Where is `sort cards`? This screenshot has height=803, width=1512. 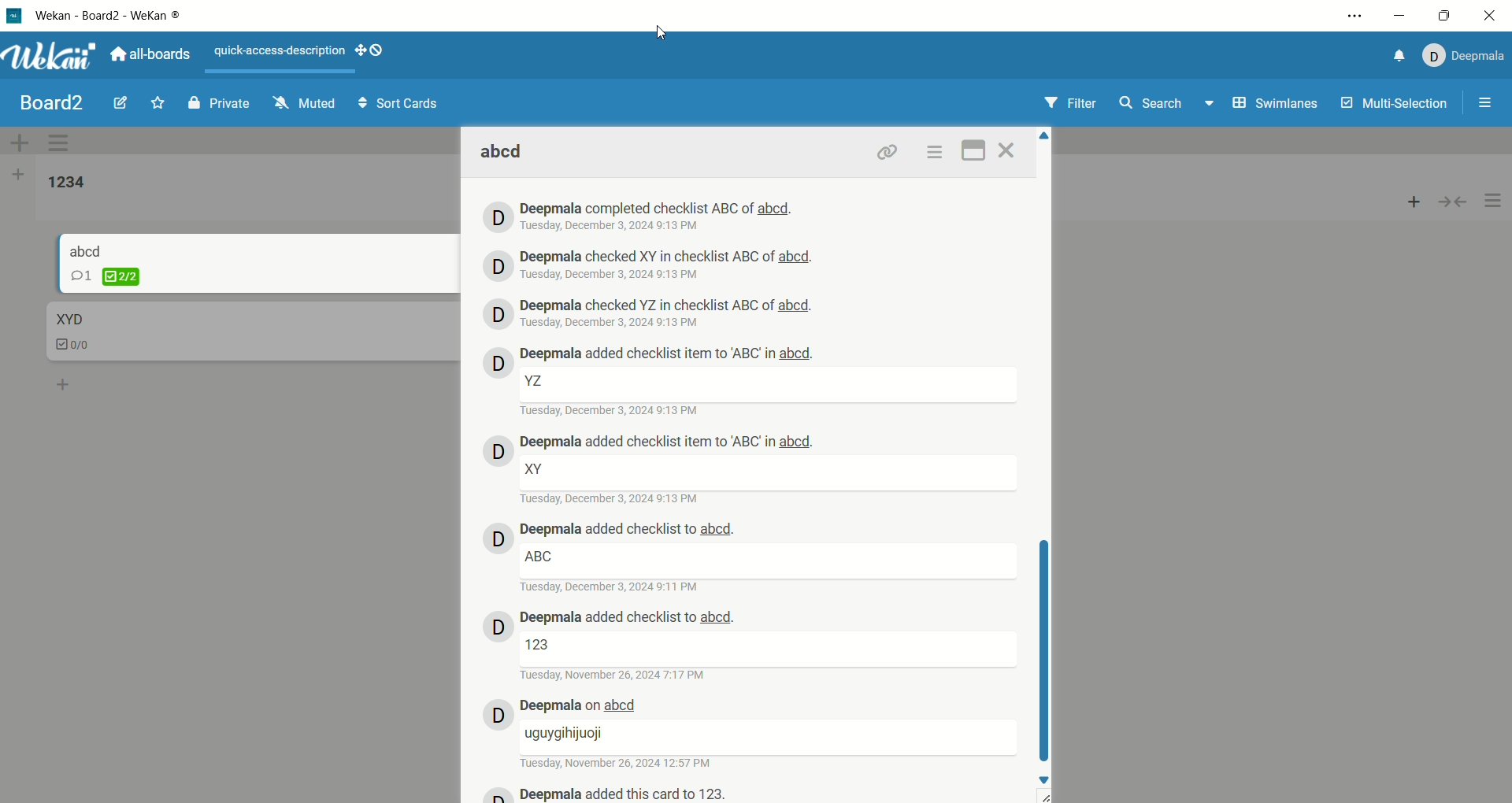
sort cards is located at coordinates (398, 105).